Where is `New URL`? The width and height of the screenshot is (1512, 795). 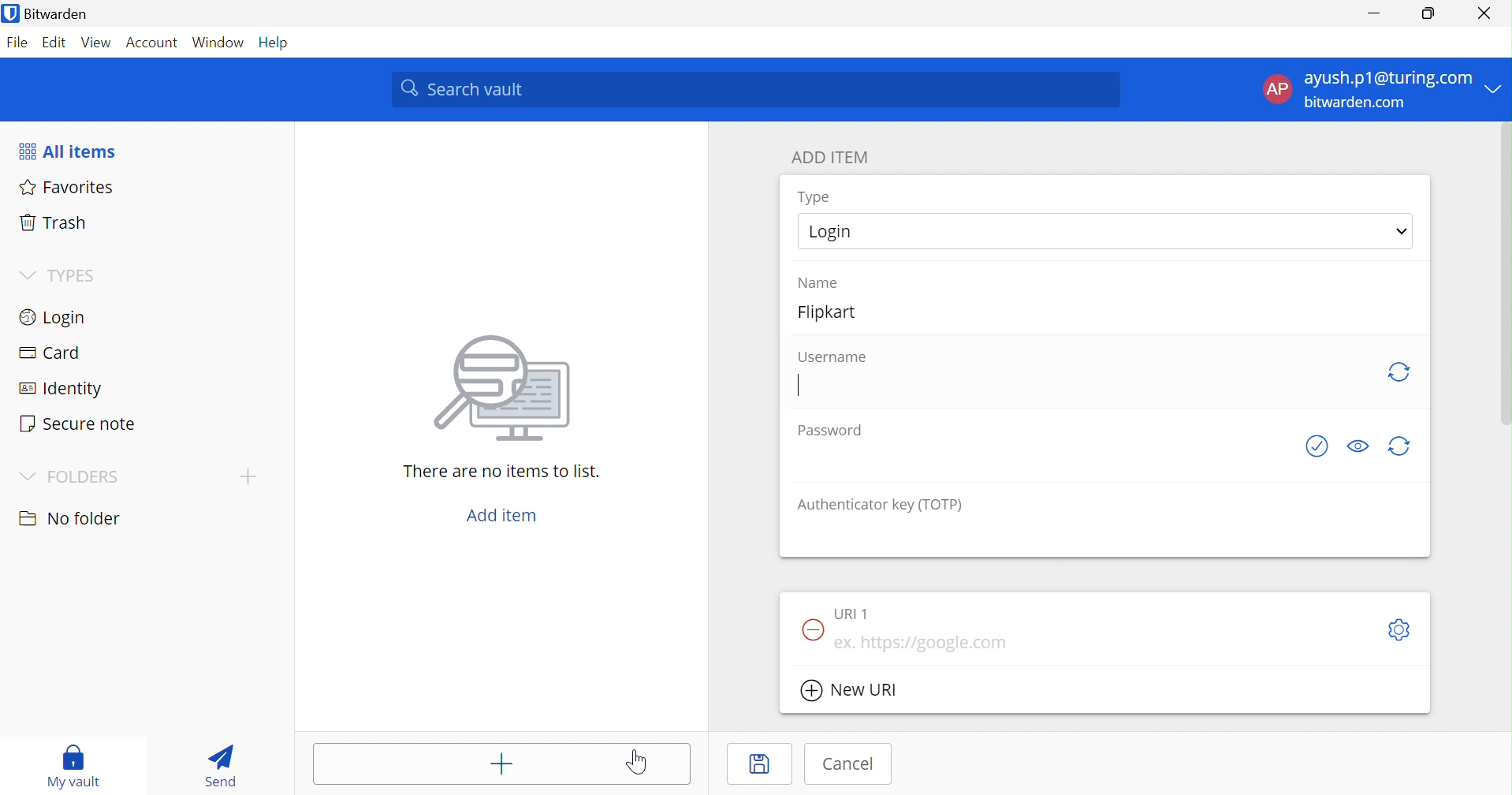
New URL is located at coordinates (859, 692).